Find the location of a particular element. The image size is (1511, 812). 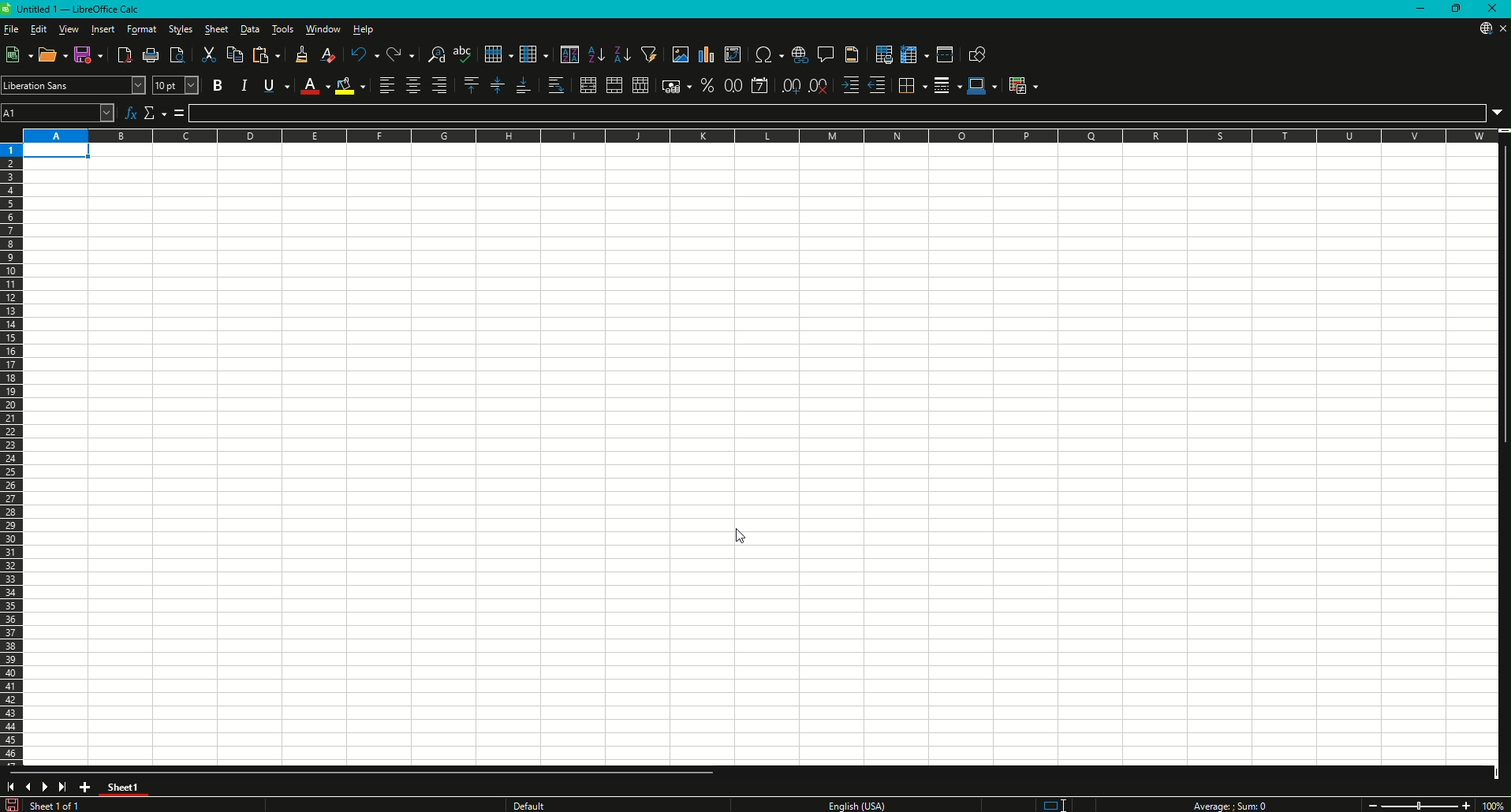

Sheet is located at coordinates (218, 28).